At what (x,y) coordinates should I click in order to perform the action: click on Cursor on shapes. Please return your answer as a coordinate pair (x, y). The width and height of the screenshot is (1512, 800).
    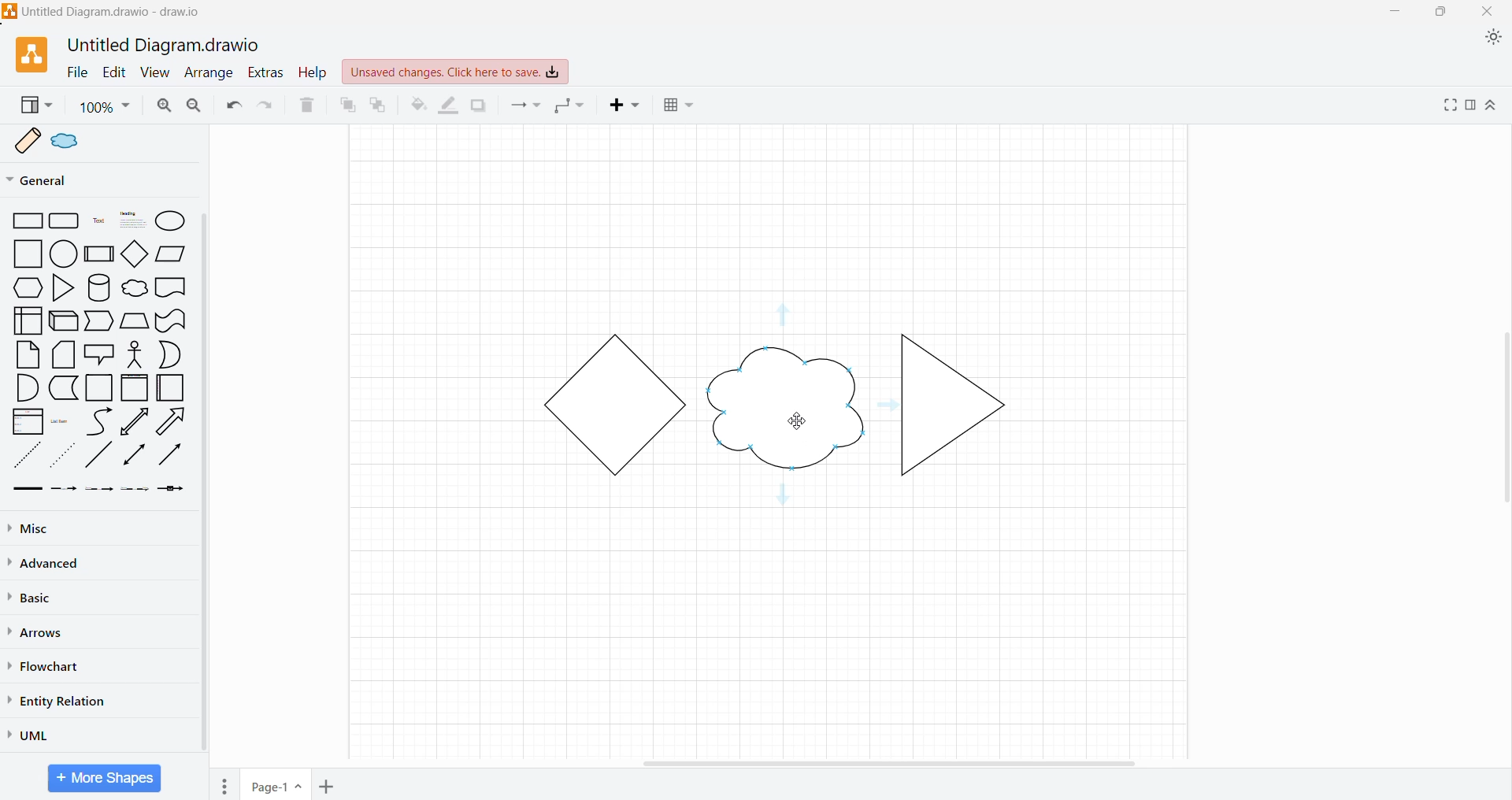
    Looking at the image, I should click on (794, 420).